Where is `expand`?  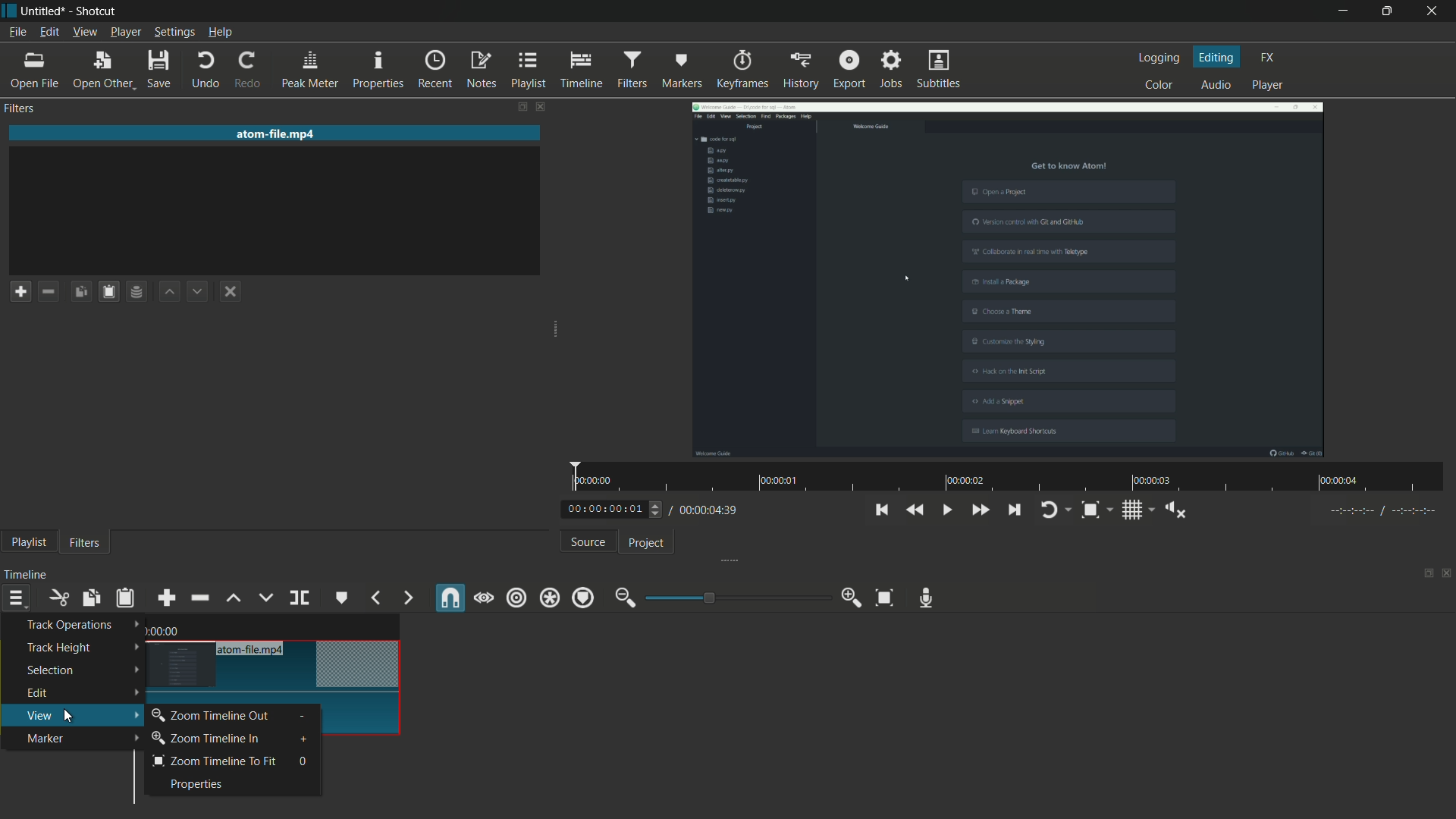 expand is located at coordinates (724, 562).